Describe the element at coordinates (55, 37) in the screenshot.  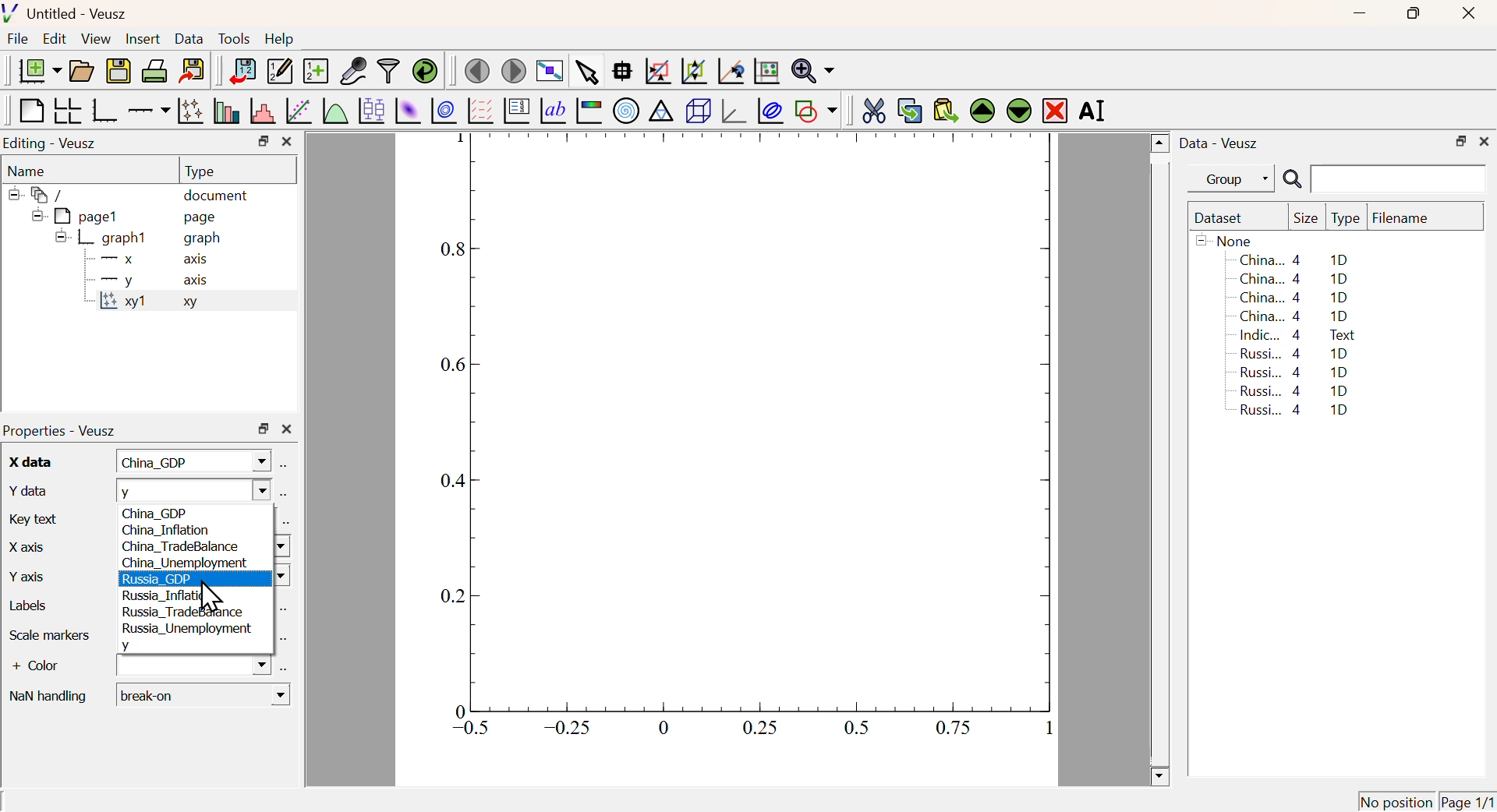
I see `Edit` at that location.